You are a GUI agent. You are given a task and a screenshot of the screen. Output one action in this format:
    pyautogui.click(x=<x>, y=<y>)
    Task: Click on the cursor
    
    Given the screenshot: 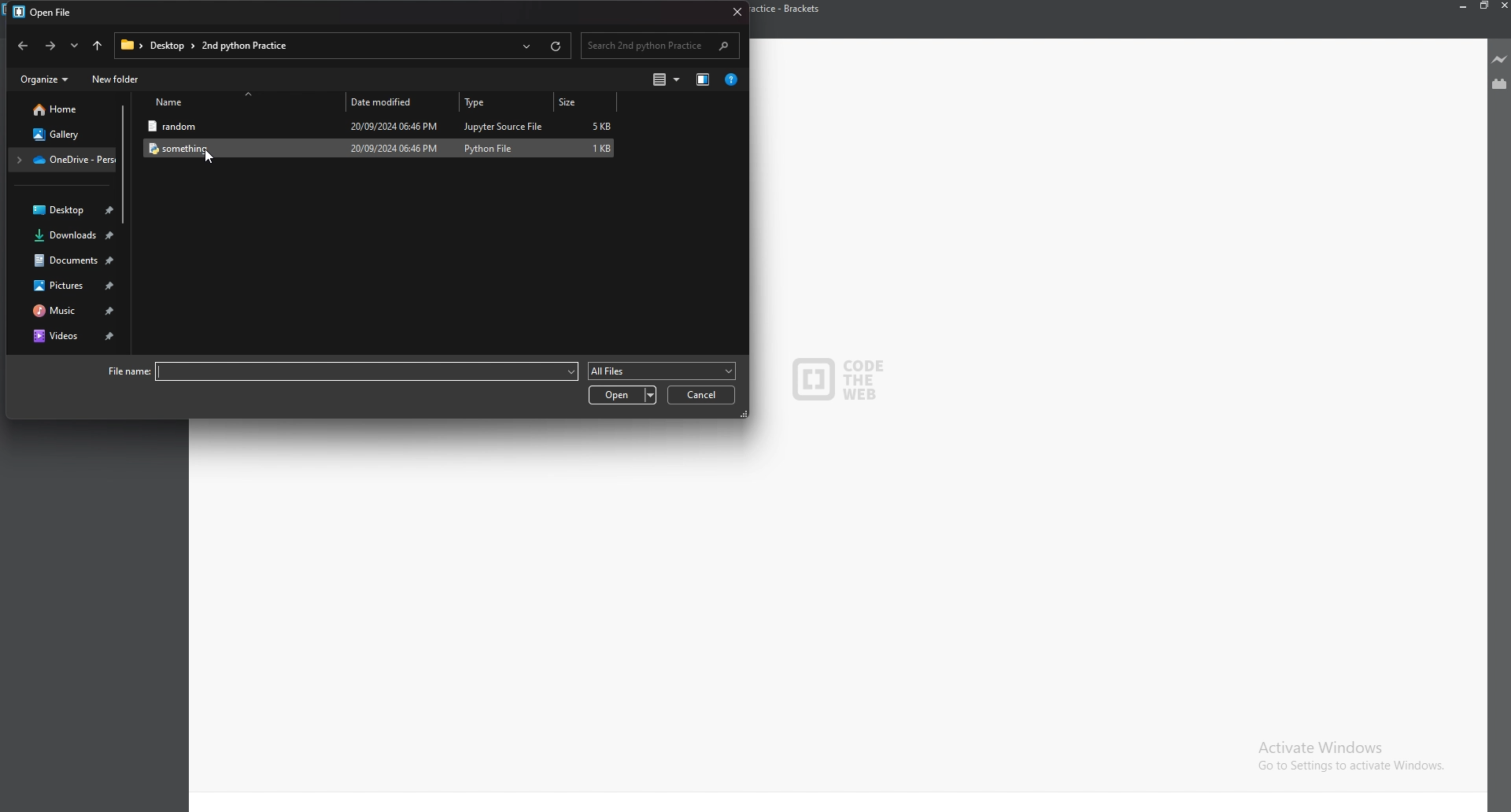 What is the action you would take?
    pyautogui.click(x=211, y=157)
    